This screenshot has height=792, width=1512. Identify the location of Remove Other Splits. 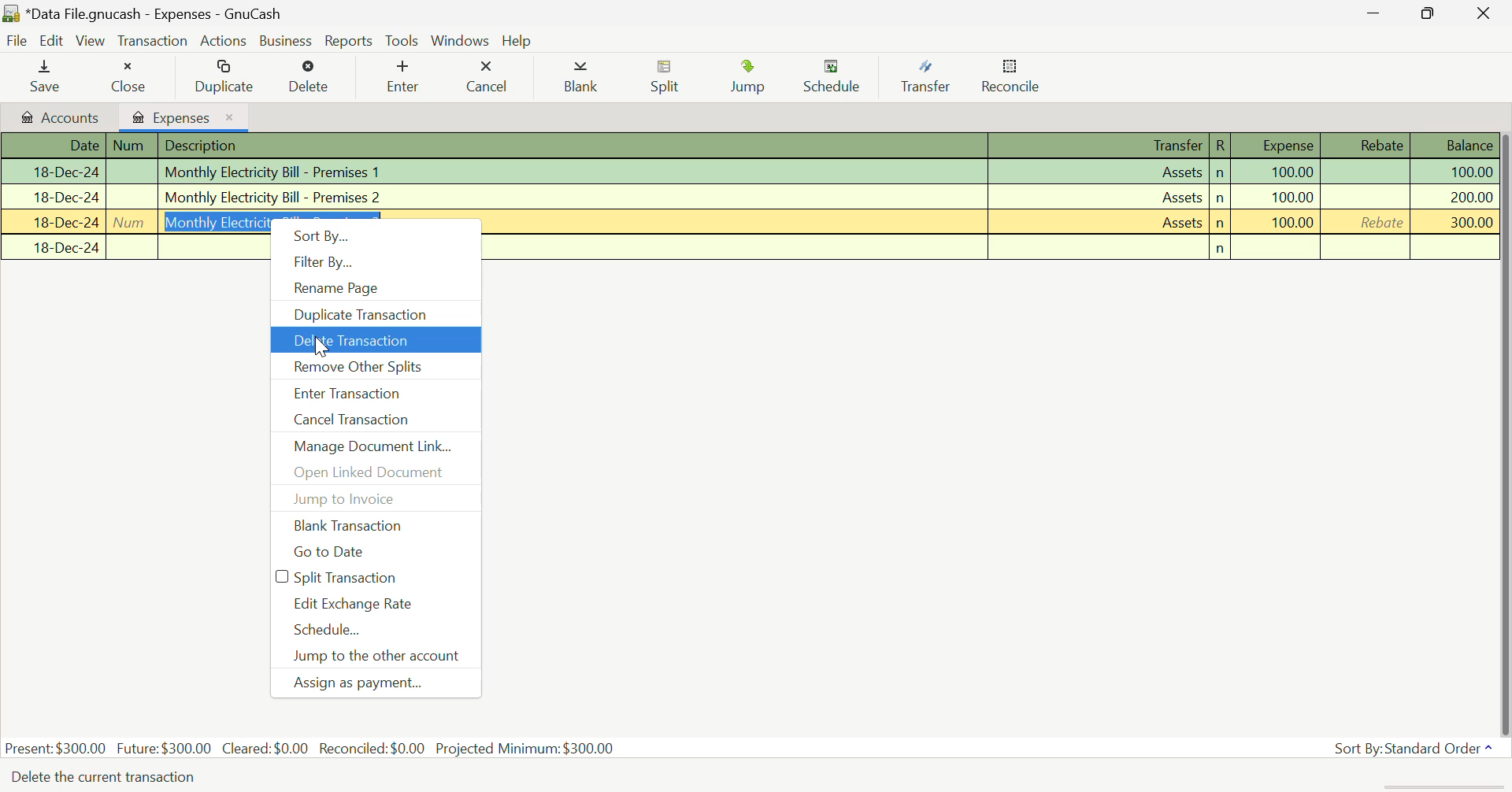
(374, 367).